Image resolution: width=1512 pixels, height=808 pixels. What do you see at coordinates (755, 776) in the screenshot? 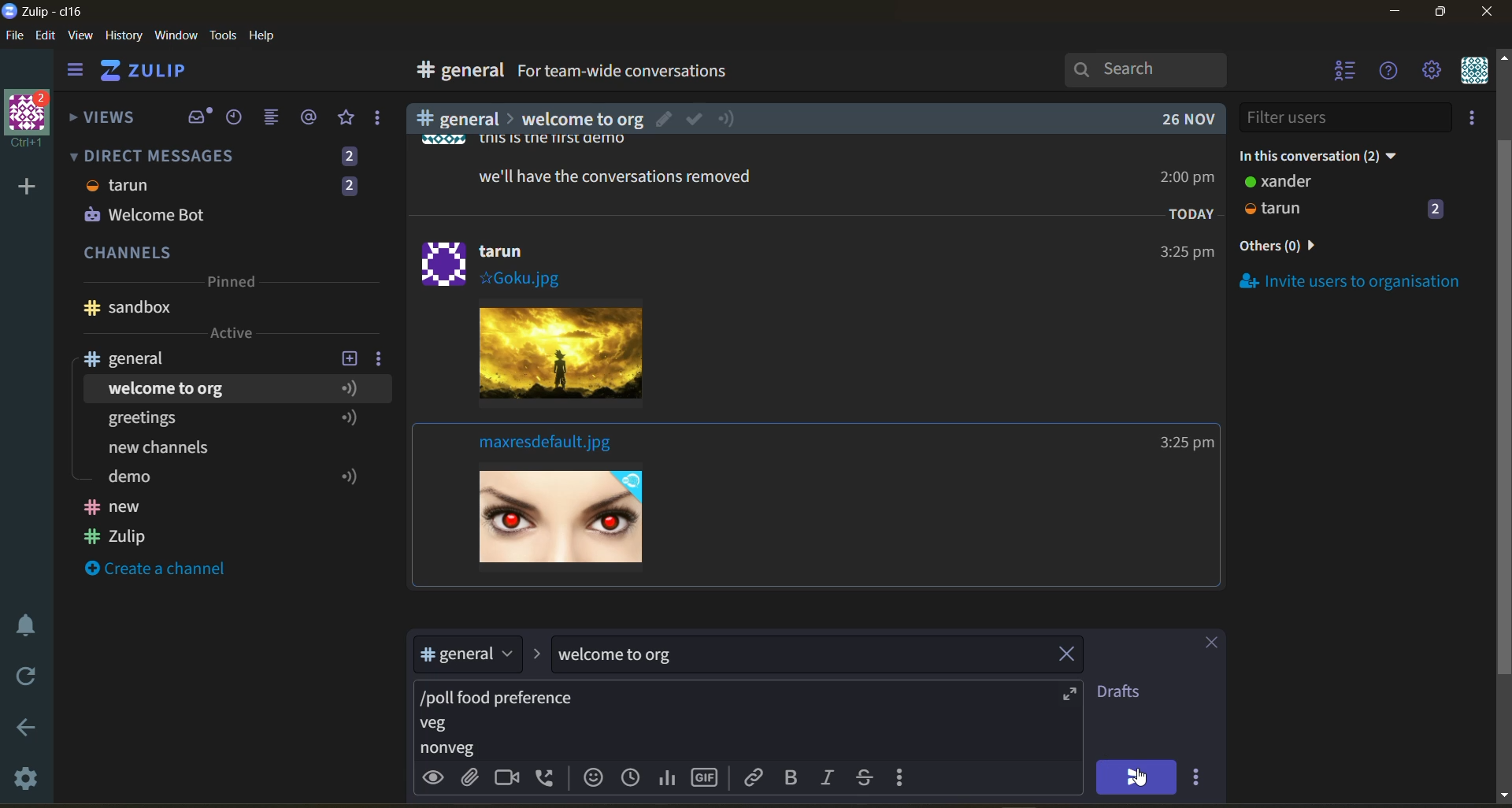
I see `link` at bounding box center [755, 776].